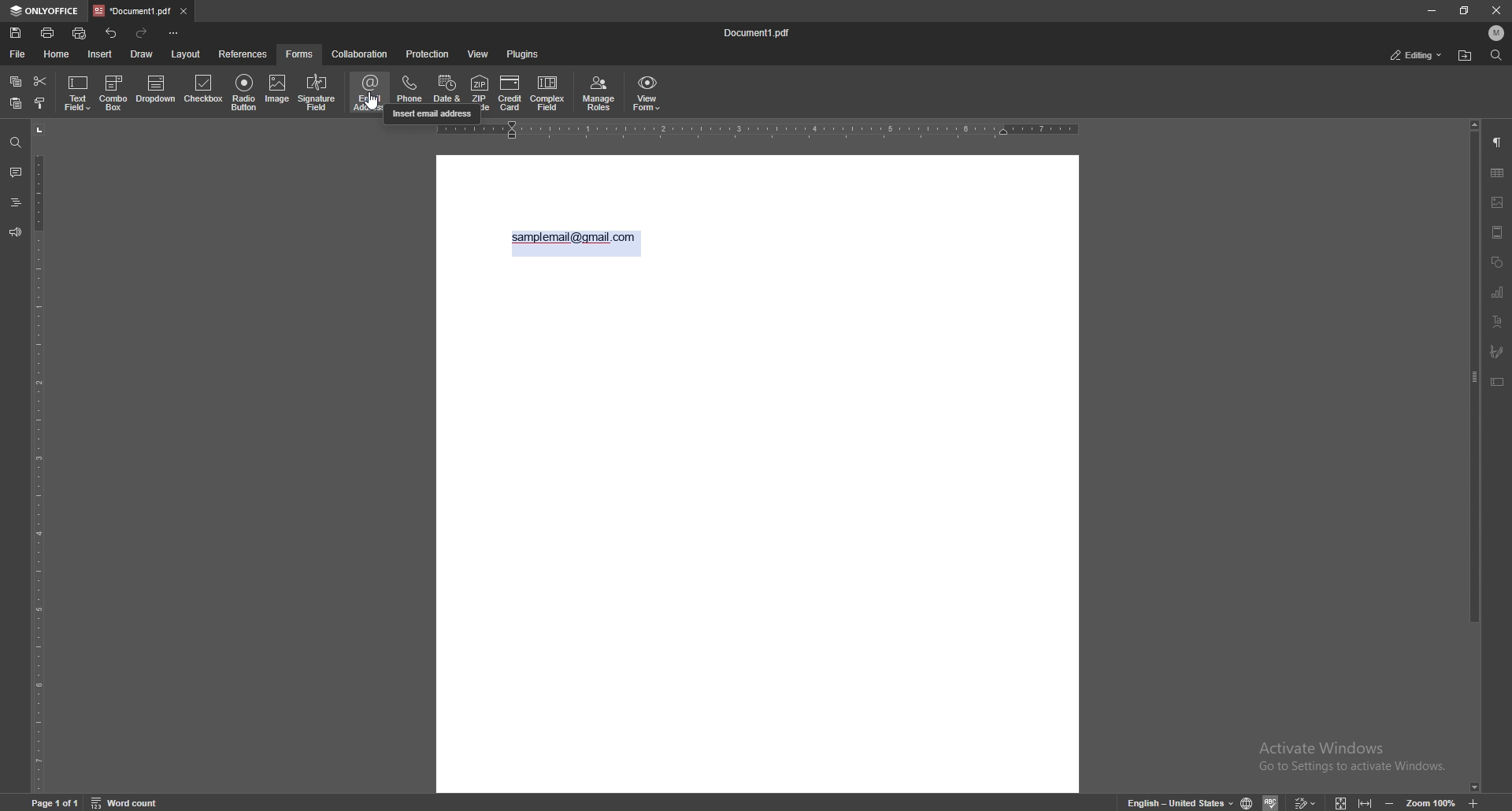 The width and height of the screenshot is (1512, 811). Describe the element at coordinates (1499, 382) in the screenshot. I see `text box` at that location.